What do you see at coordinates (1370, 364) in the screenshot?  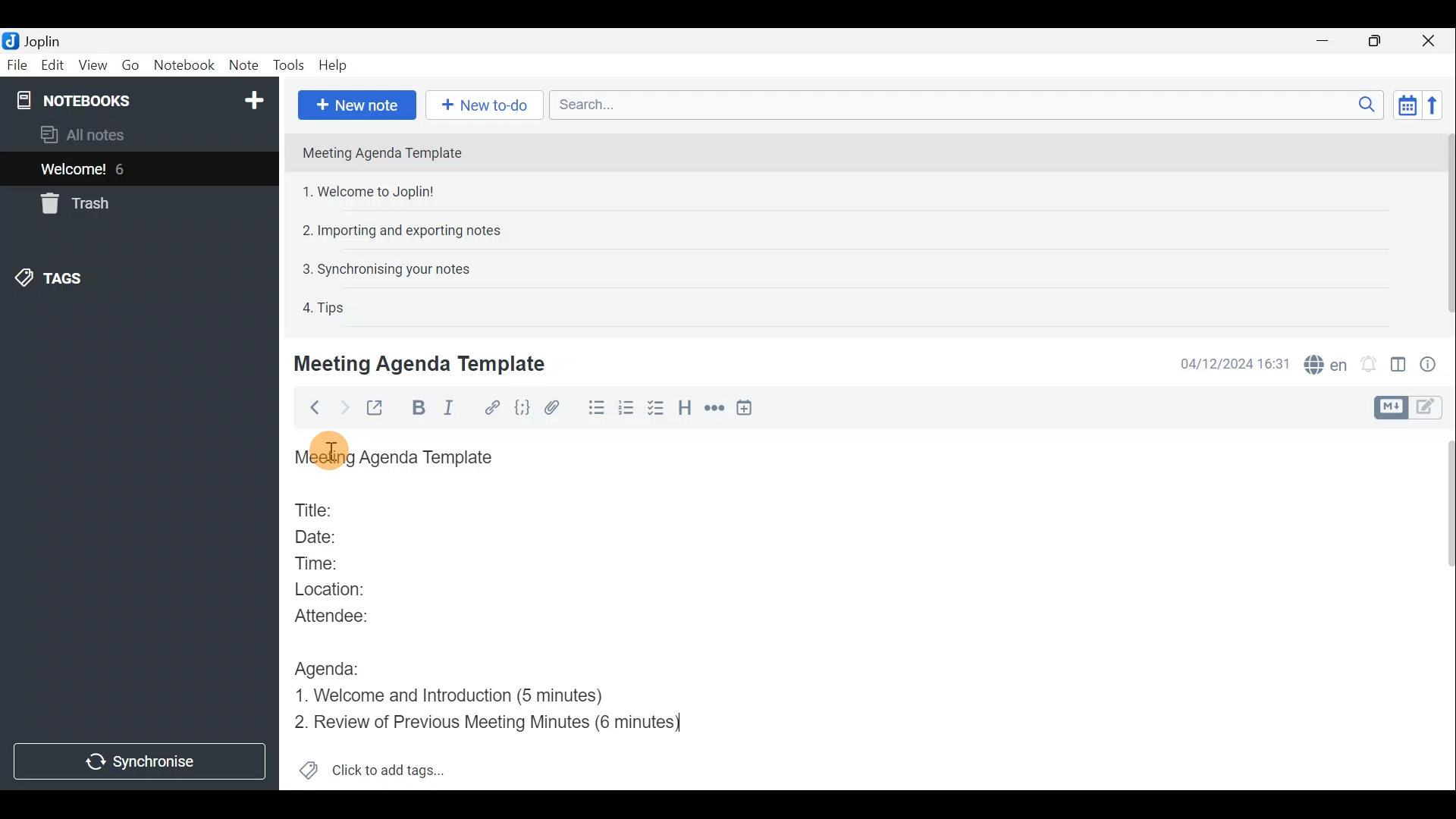 I see `Set alarm` at bounding box center [1370, 364].